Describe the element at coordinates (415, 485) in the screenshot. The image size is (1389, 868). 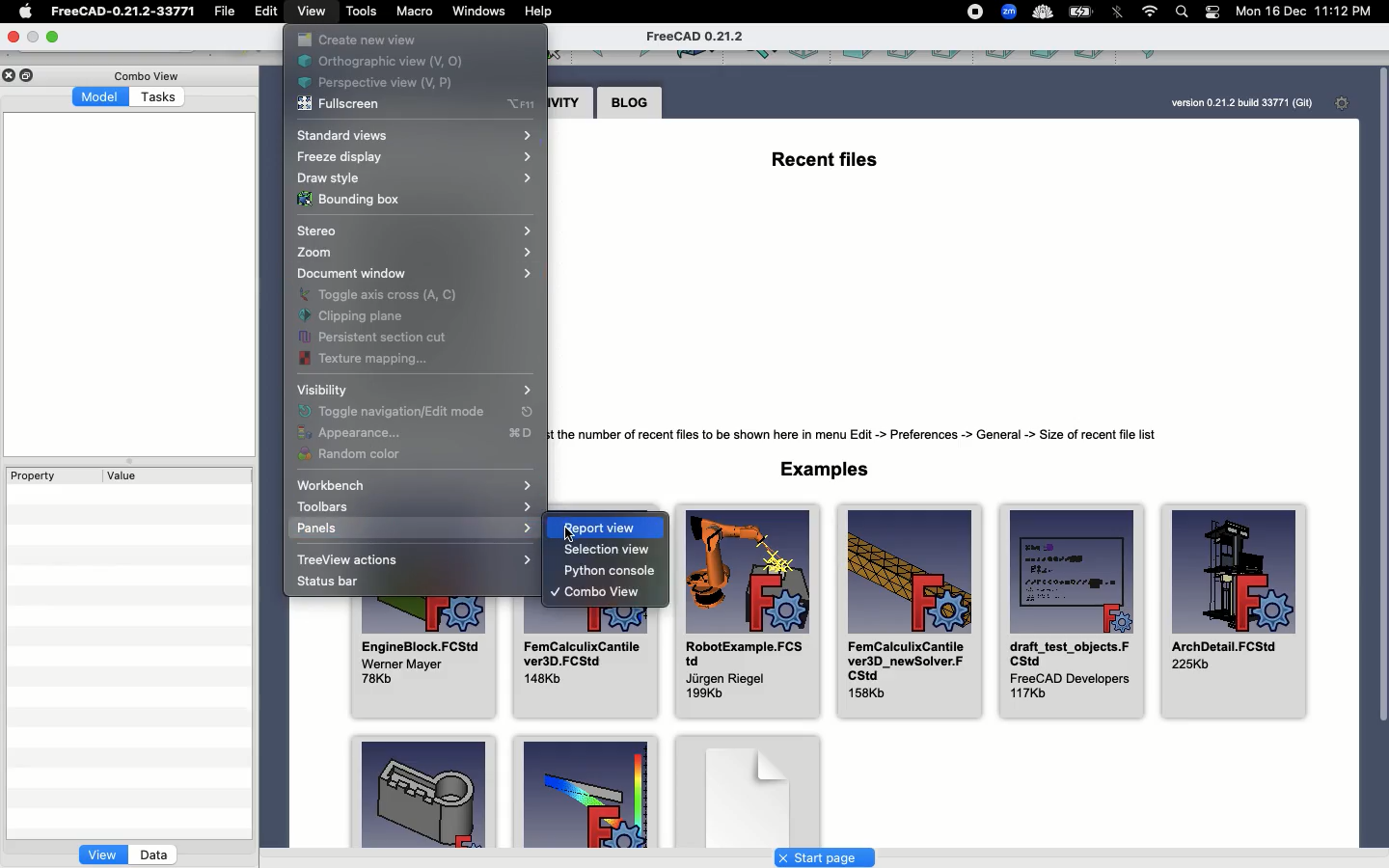
I see `Workbench` at that location.